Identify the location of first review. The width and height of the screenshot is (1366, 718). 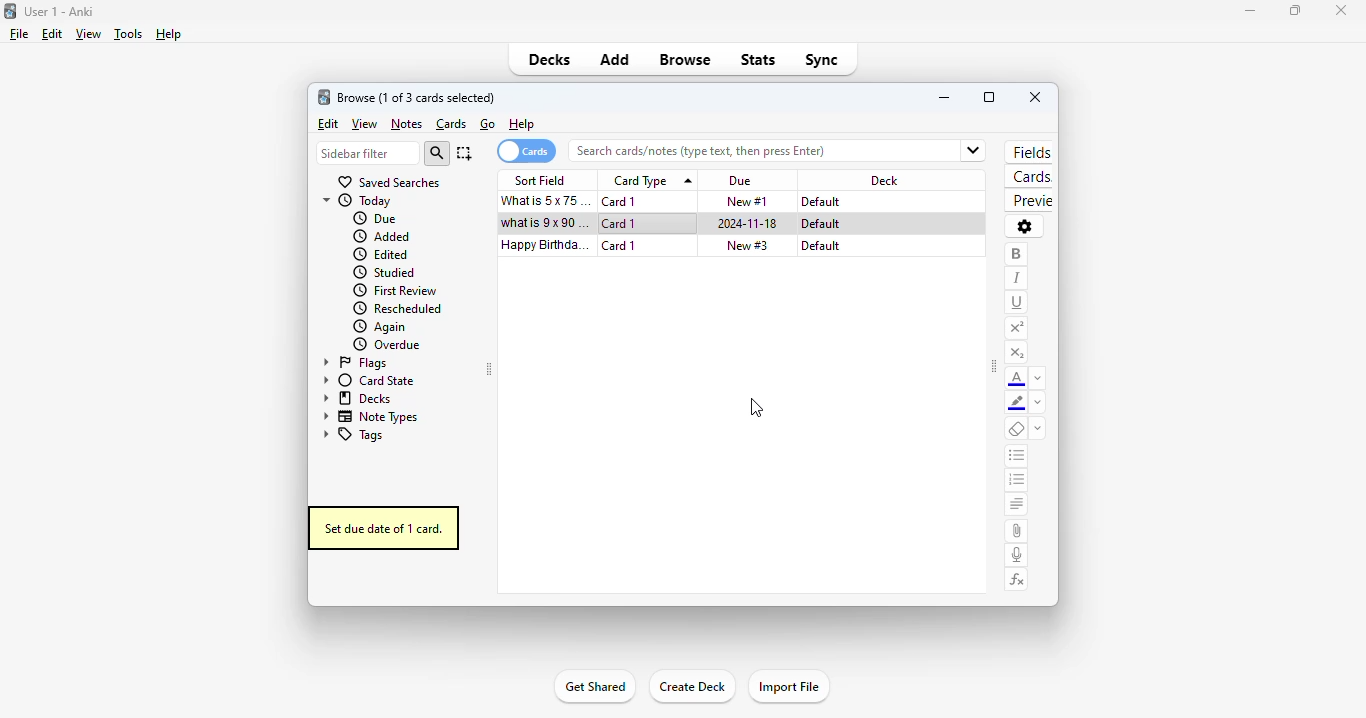
(394, 292).